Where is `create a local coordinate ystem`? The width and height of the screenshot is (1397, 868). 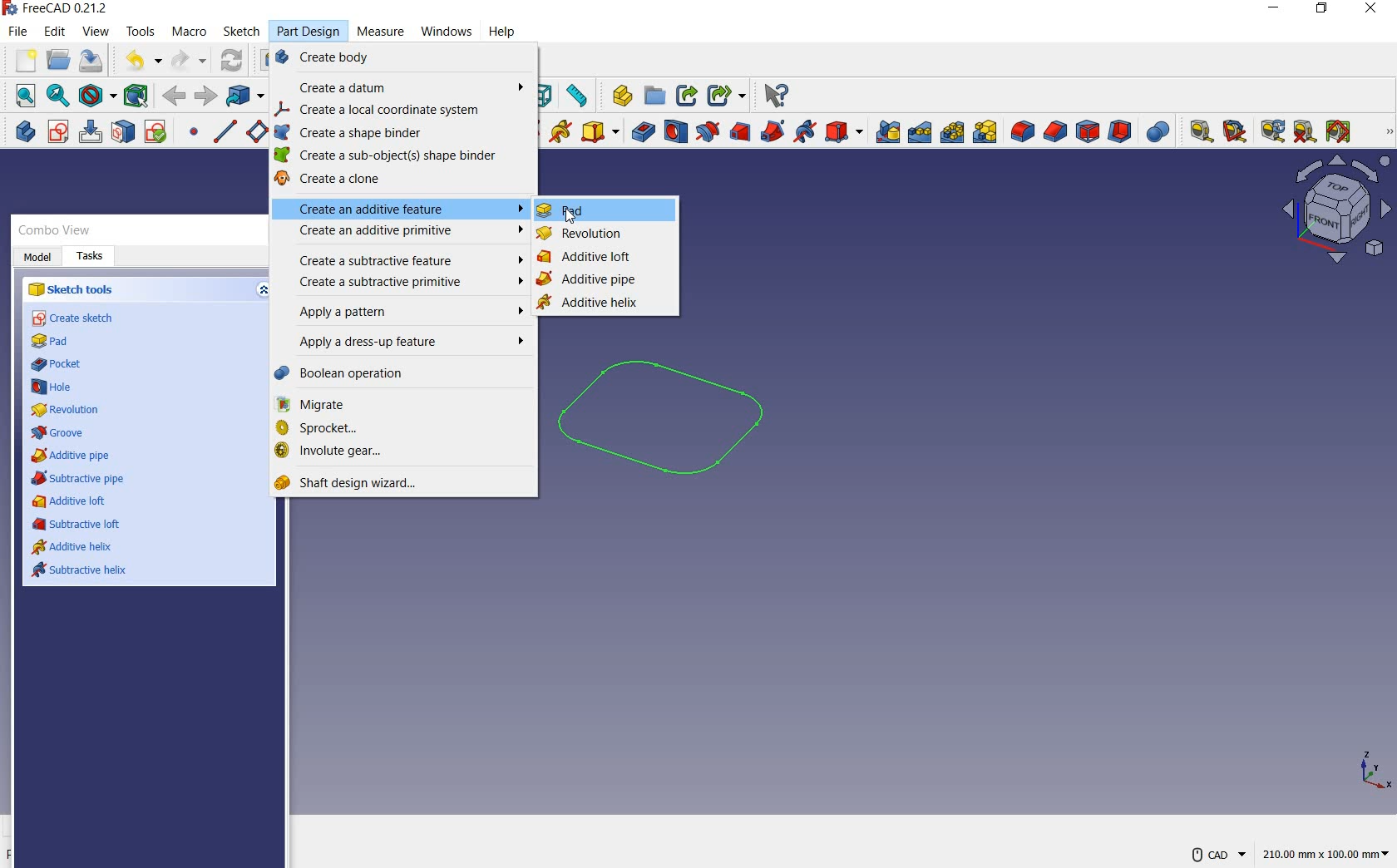
create a local coordinate ystem is located at coordinates (402, 111).